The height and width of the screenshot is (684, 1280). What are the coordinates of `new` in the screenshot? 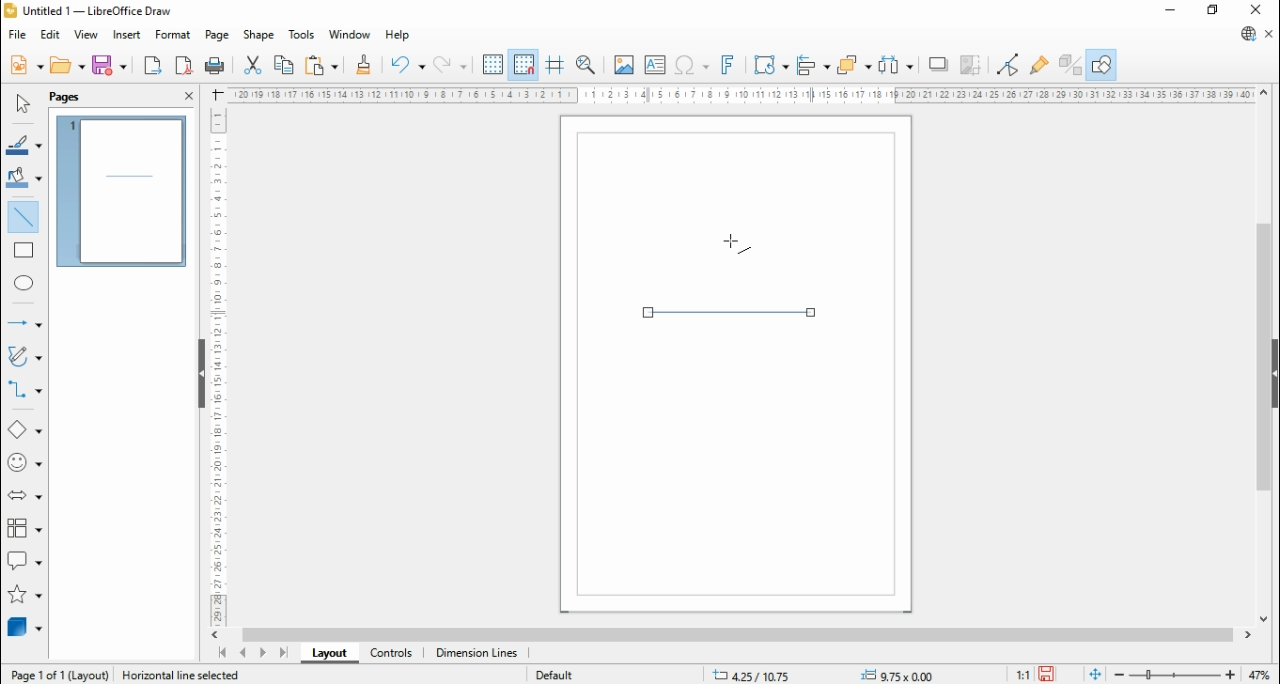 It's located at (25, 66).